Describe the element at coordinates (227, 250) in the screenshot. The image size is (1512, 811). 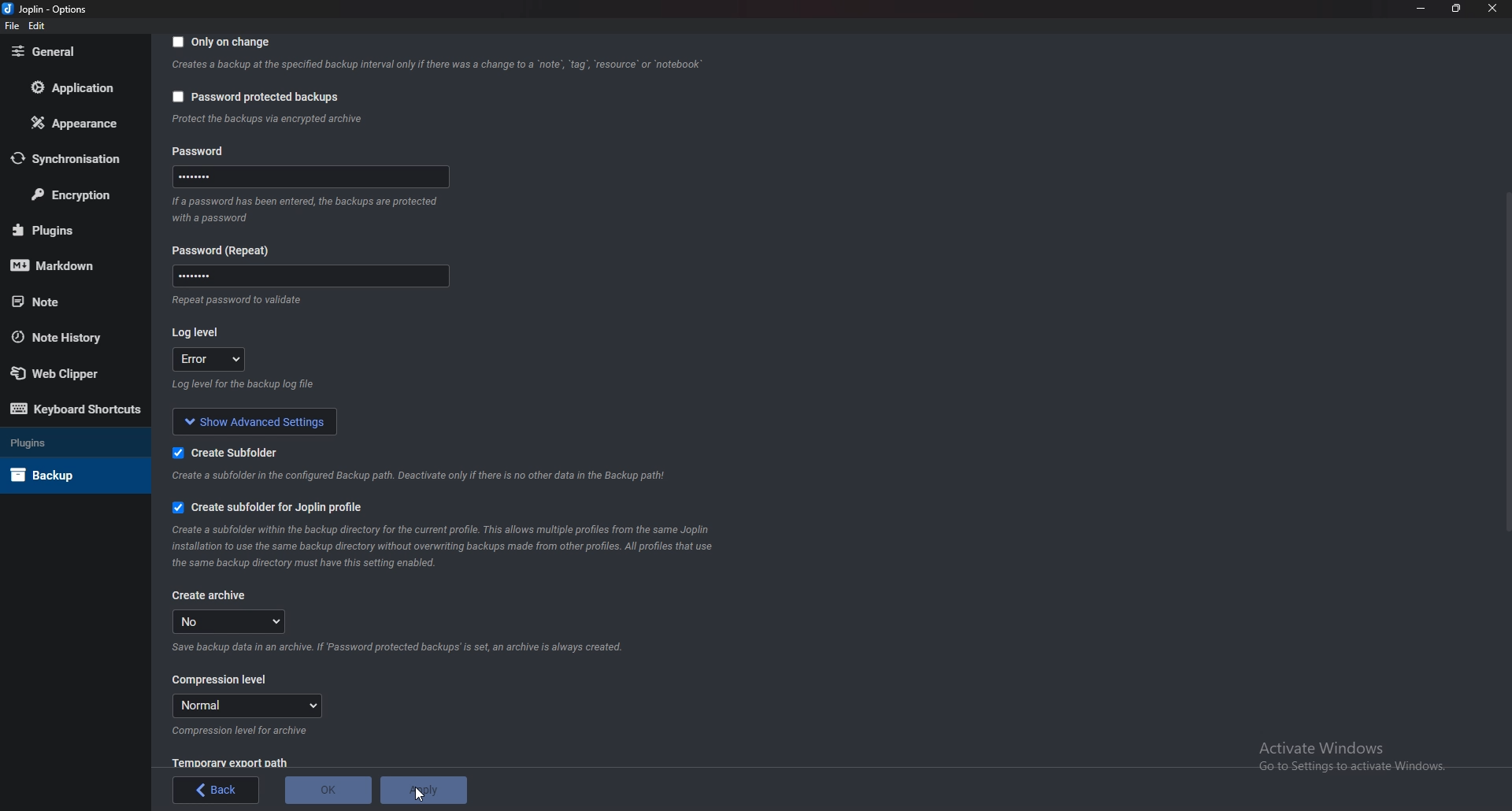
I see `Password` at that location.